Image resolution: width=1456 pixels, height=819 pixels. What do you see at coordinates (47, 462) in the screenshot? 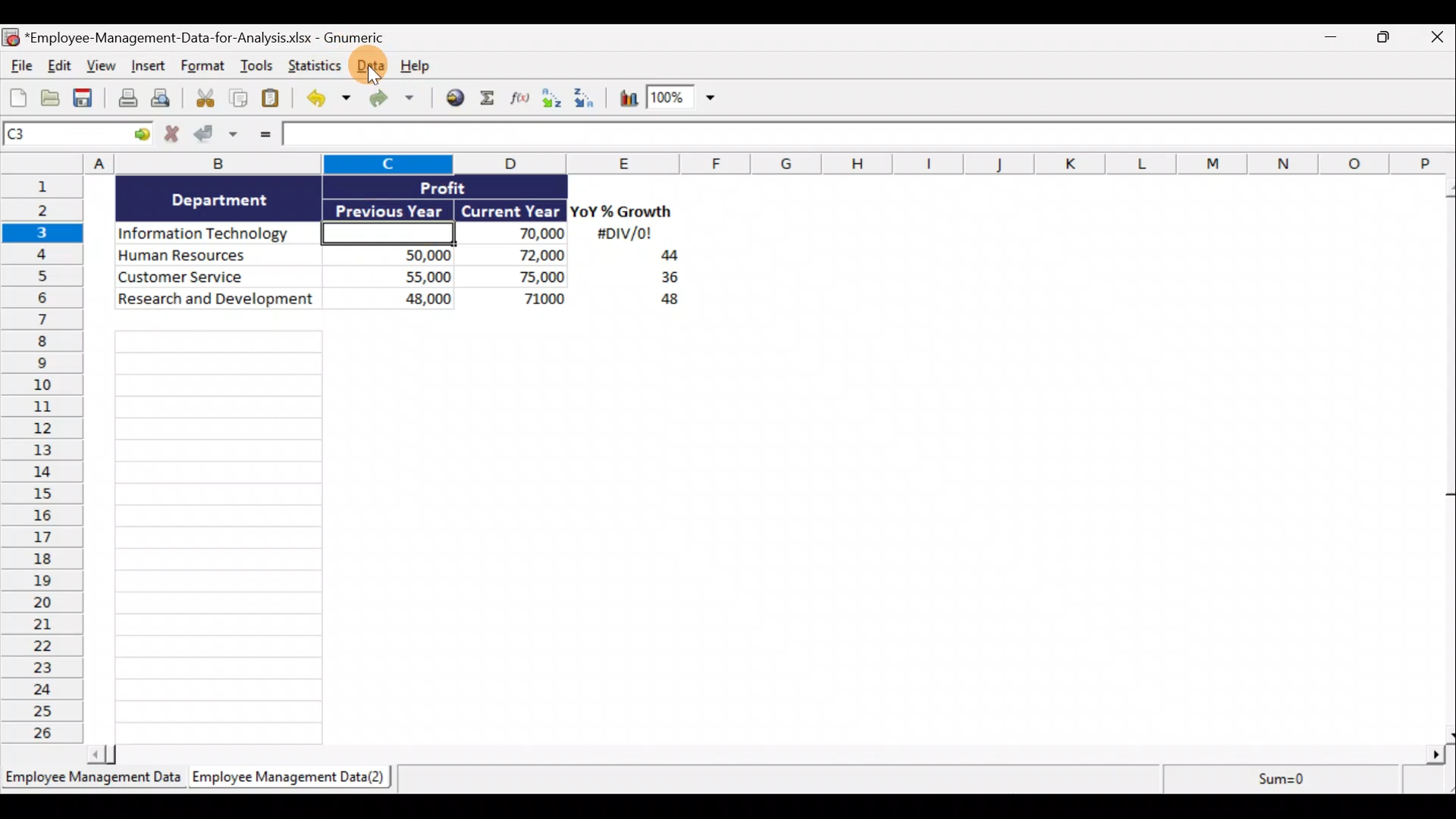
I see `Rows` at bounding box center [47, 462].